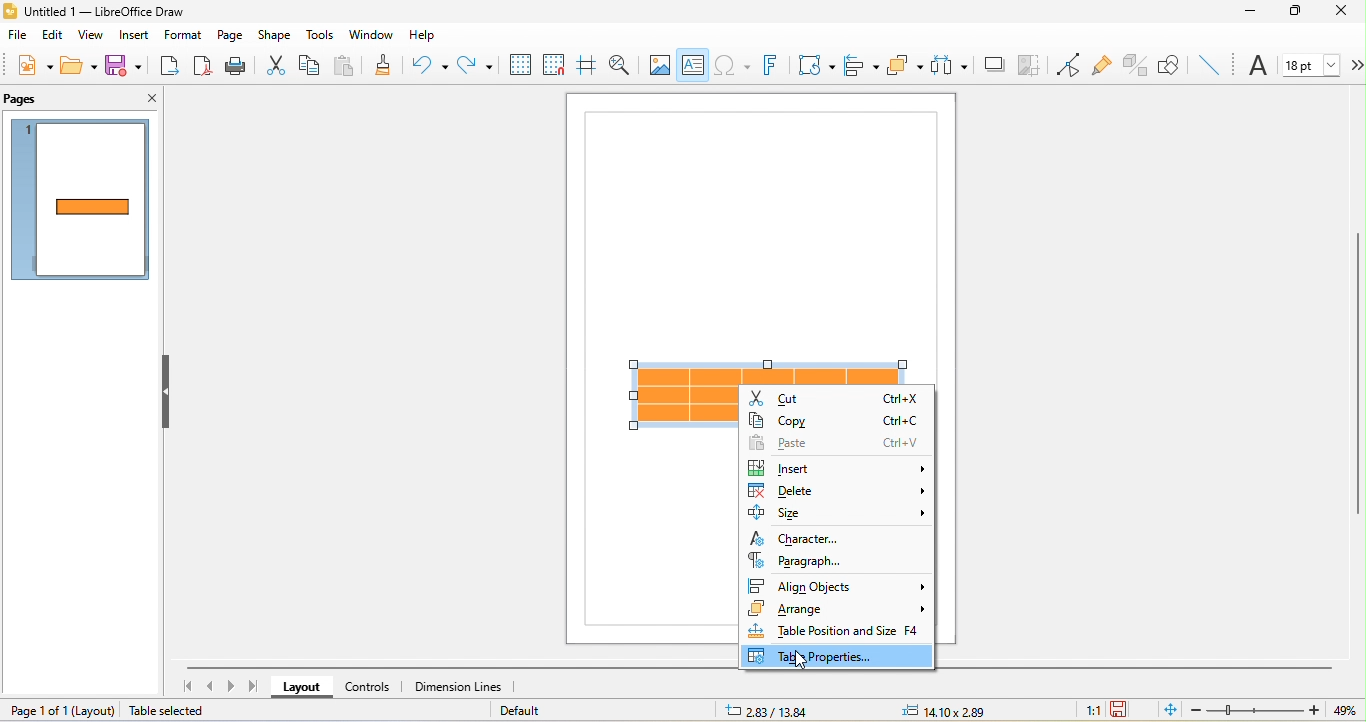 This screenshot has height=722, width=1366. I want to click on cut, so click(273, 65).